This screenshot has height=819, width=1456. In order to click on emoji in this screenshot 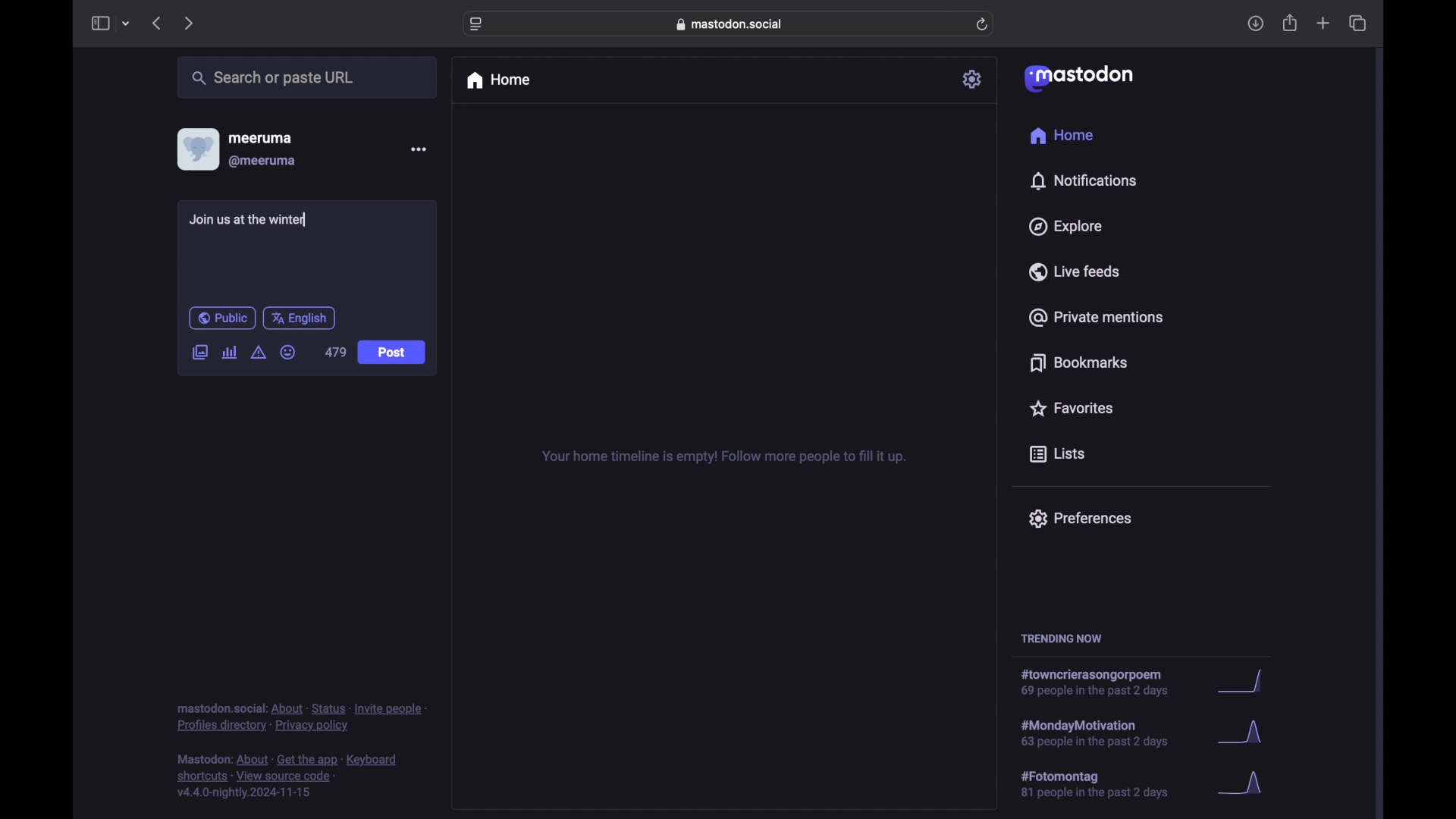, I will do `click(288, 353)`.